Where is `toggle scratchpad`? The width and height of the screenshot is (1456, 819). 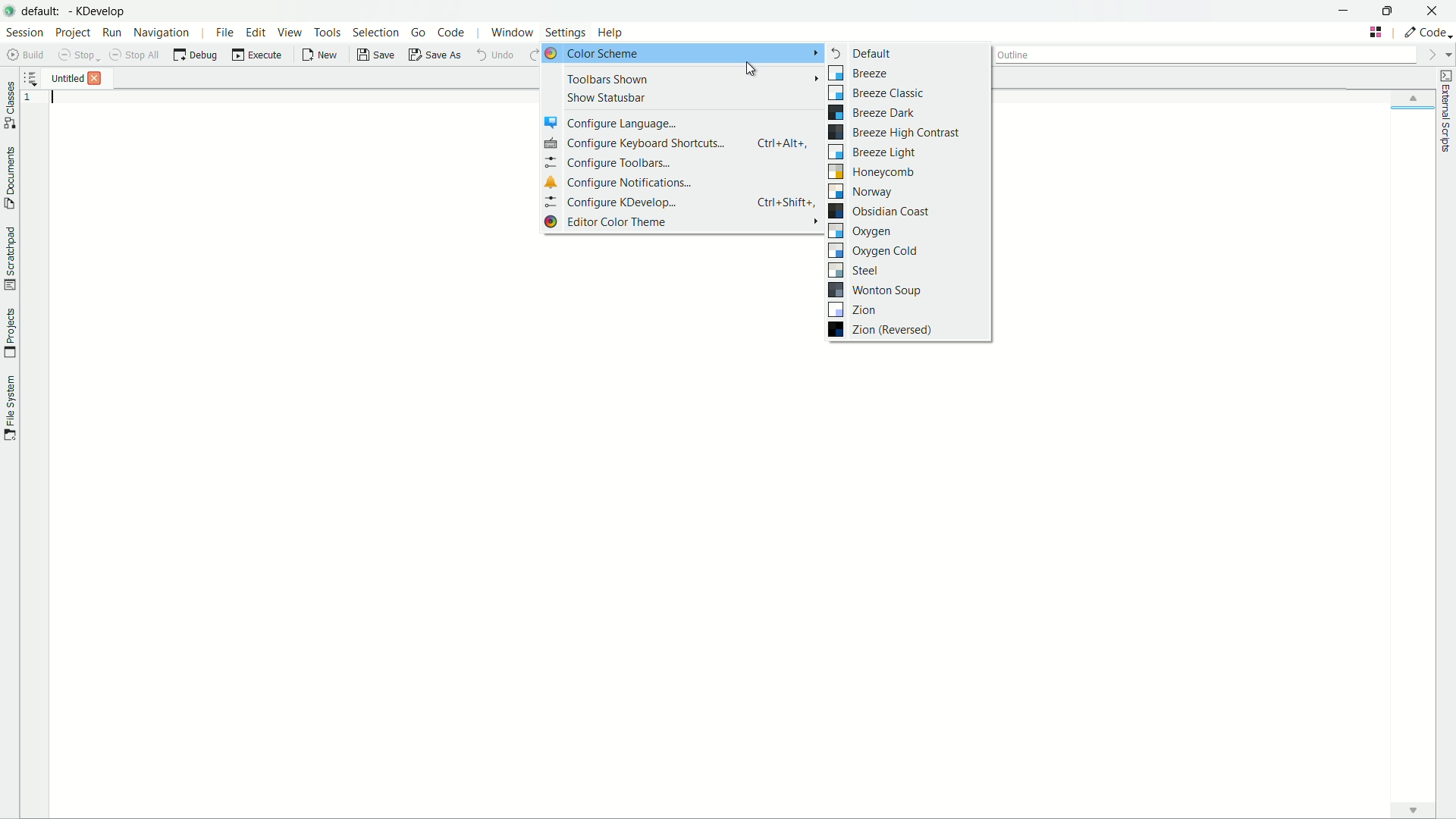
toggle scratchpad is located at coordinates (11, 260).